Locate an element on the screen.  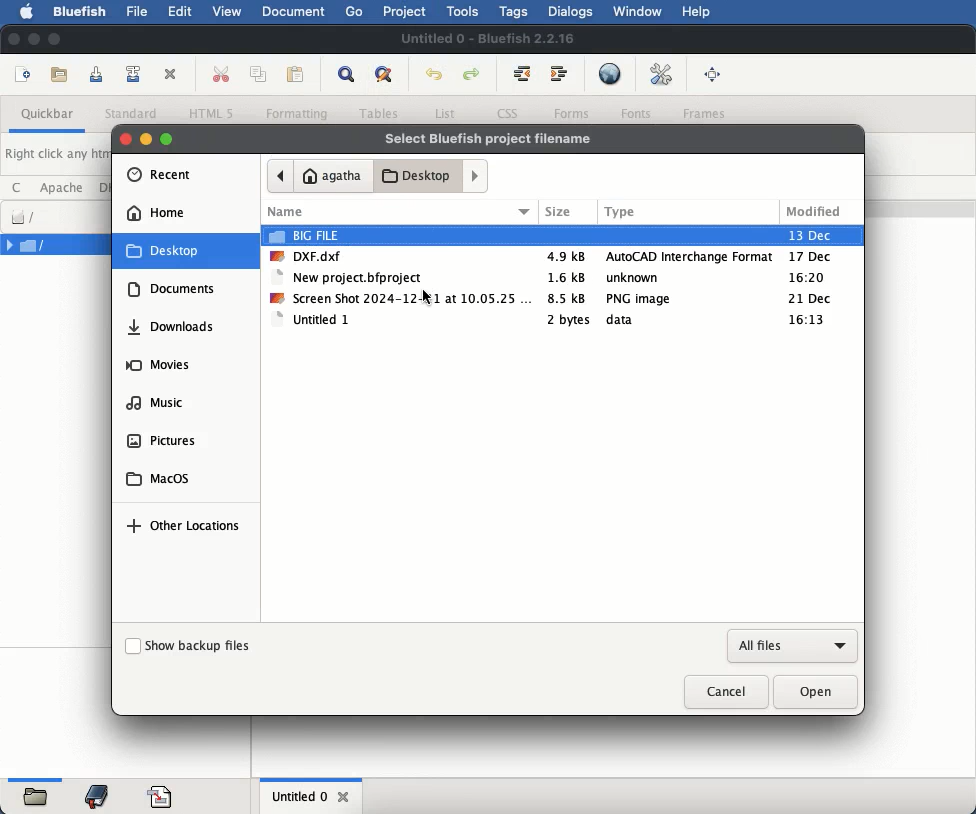
full screen is located at coordinates (714, 73).